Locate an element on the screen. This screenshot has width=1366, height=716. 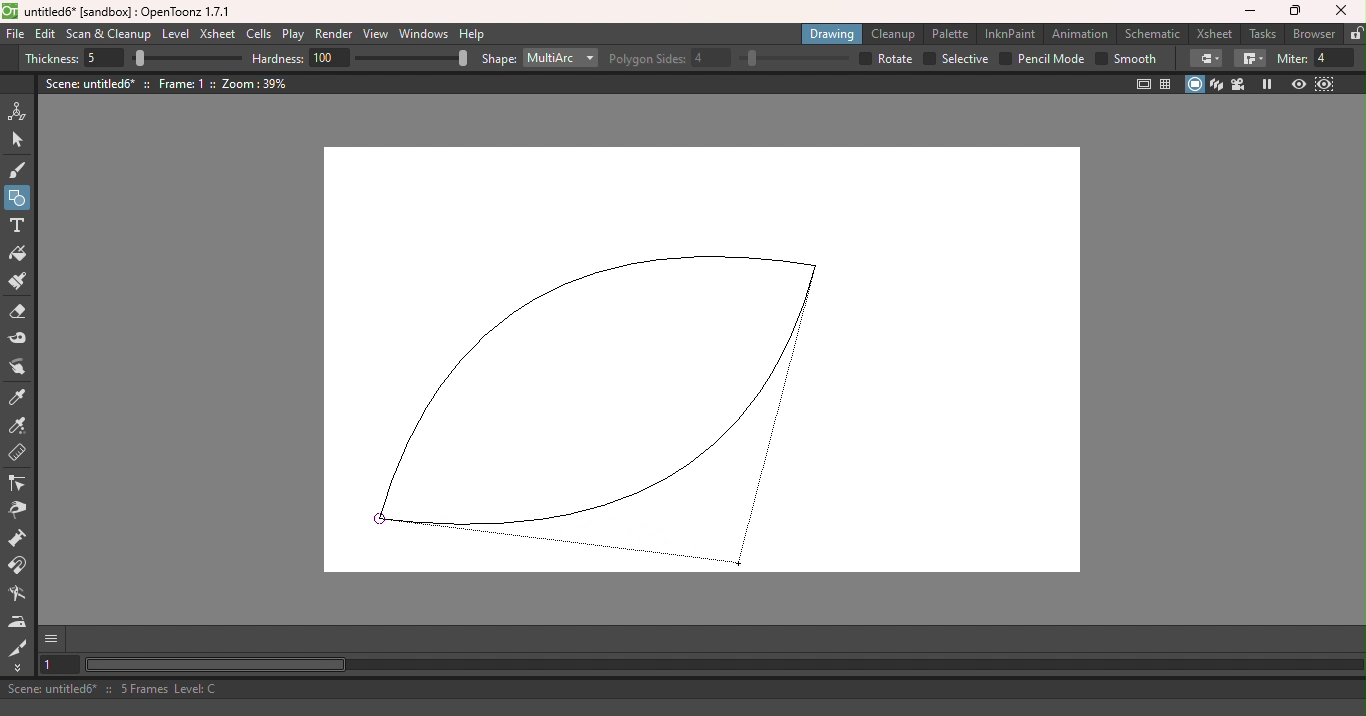
View is located at coordinates (376, 34).